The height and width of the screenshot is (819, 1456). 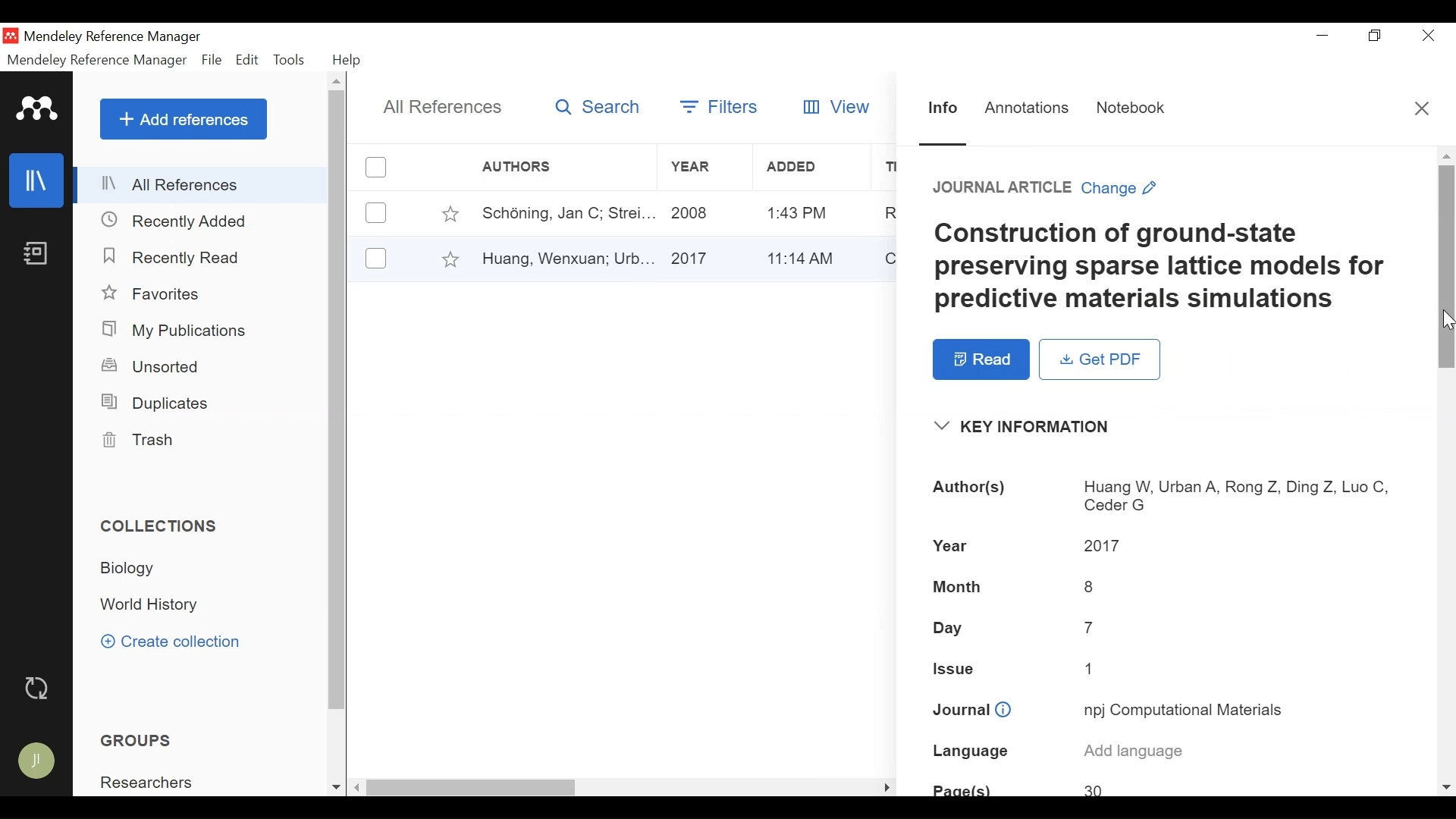 What do you see at coordinates (336, 789) in the screenshot?
I see `Scroll down` at bounding box center [336, 789].